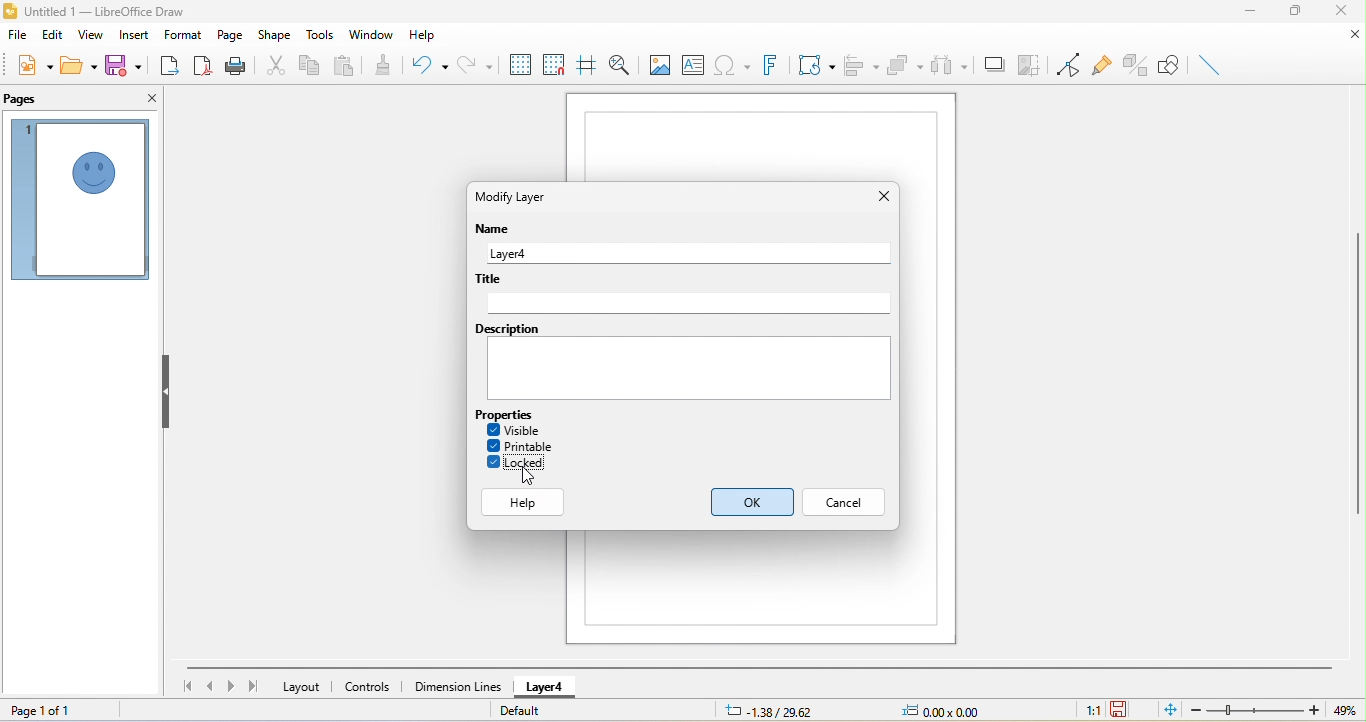 This screenshot has height=722, width=1366. What do you see at coordinates (524, 480) in the screenshot?
I see `cursor movement` at bounding box center [524, 480].